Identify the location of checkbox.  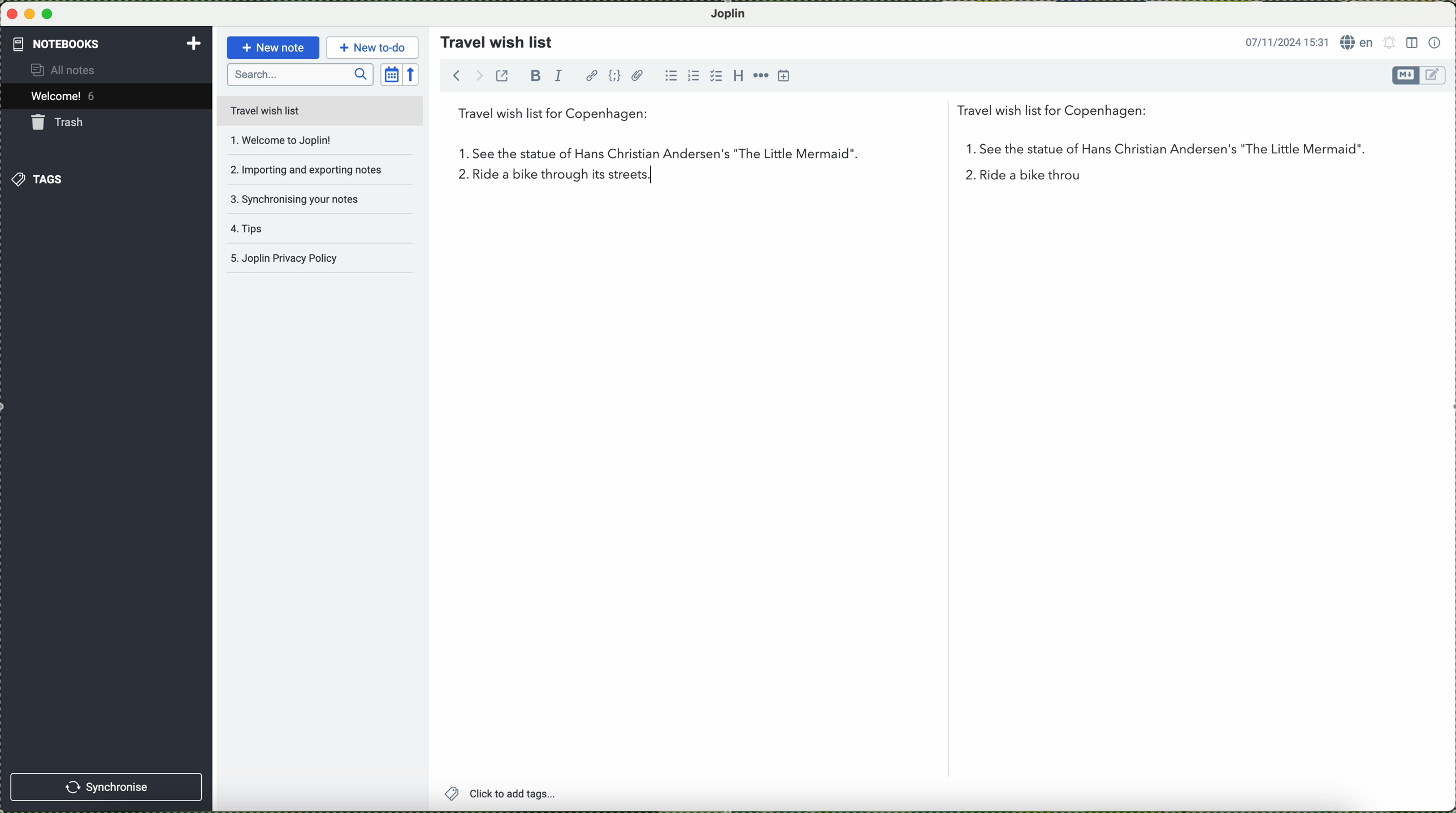
(714, 76).